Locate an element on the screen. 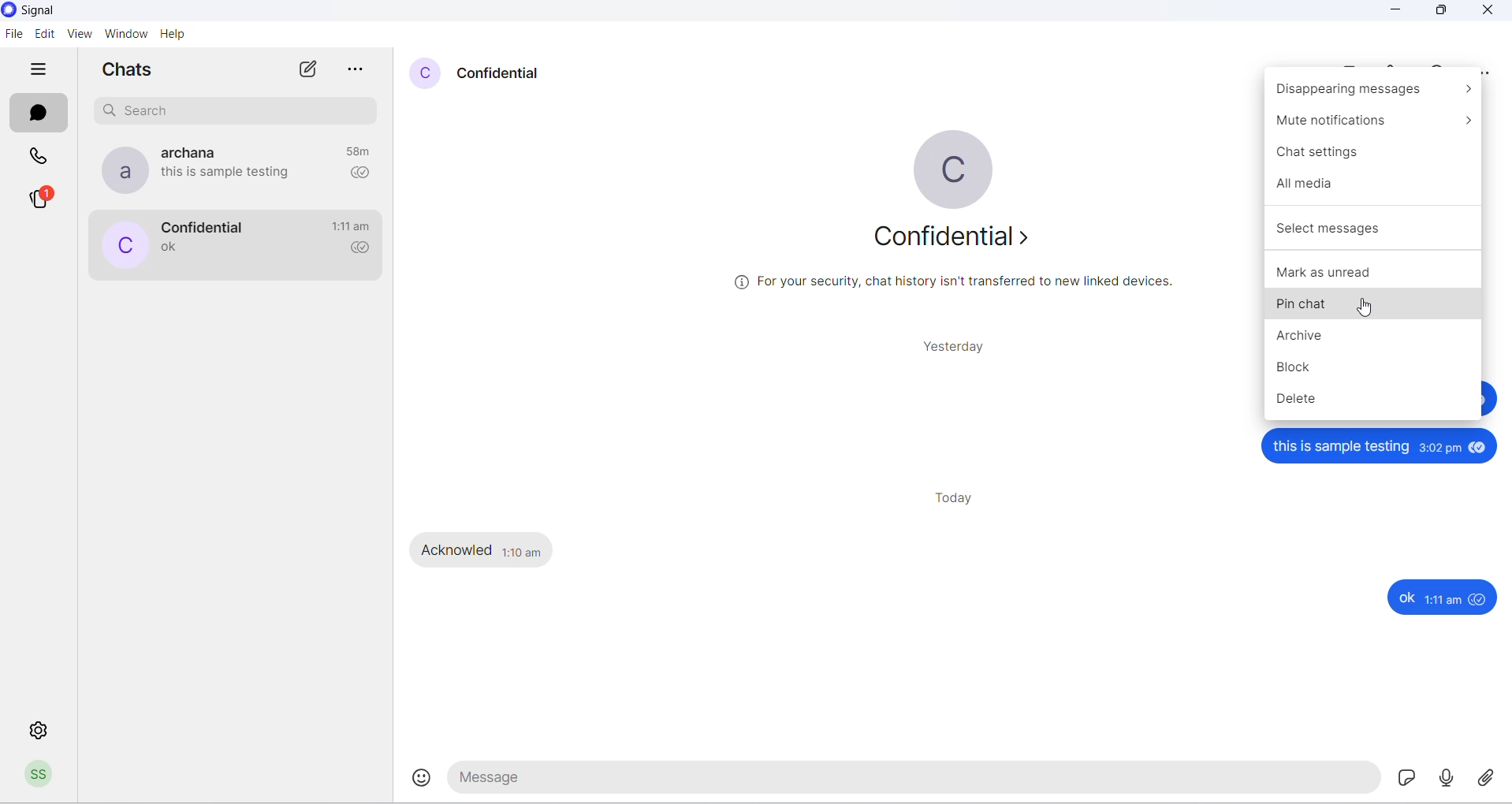 This screenshot has height=804, width=1512. For your security, chat history isn't transferred to new linked devices. is located at coordinates (952, 282).